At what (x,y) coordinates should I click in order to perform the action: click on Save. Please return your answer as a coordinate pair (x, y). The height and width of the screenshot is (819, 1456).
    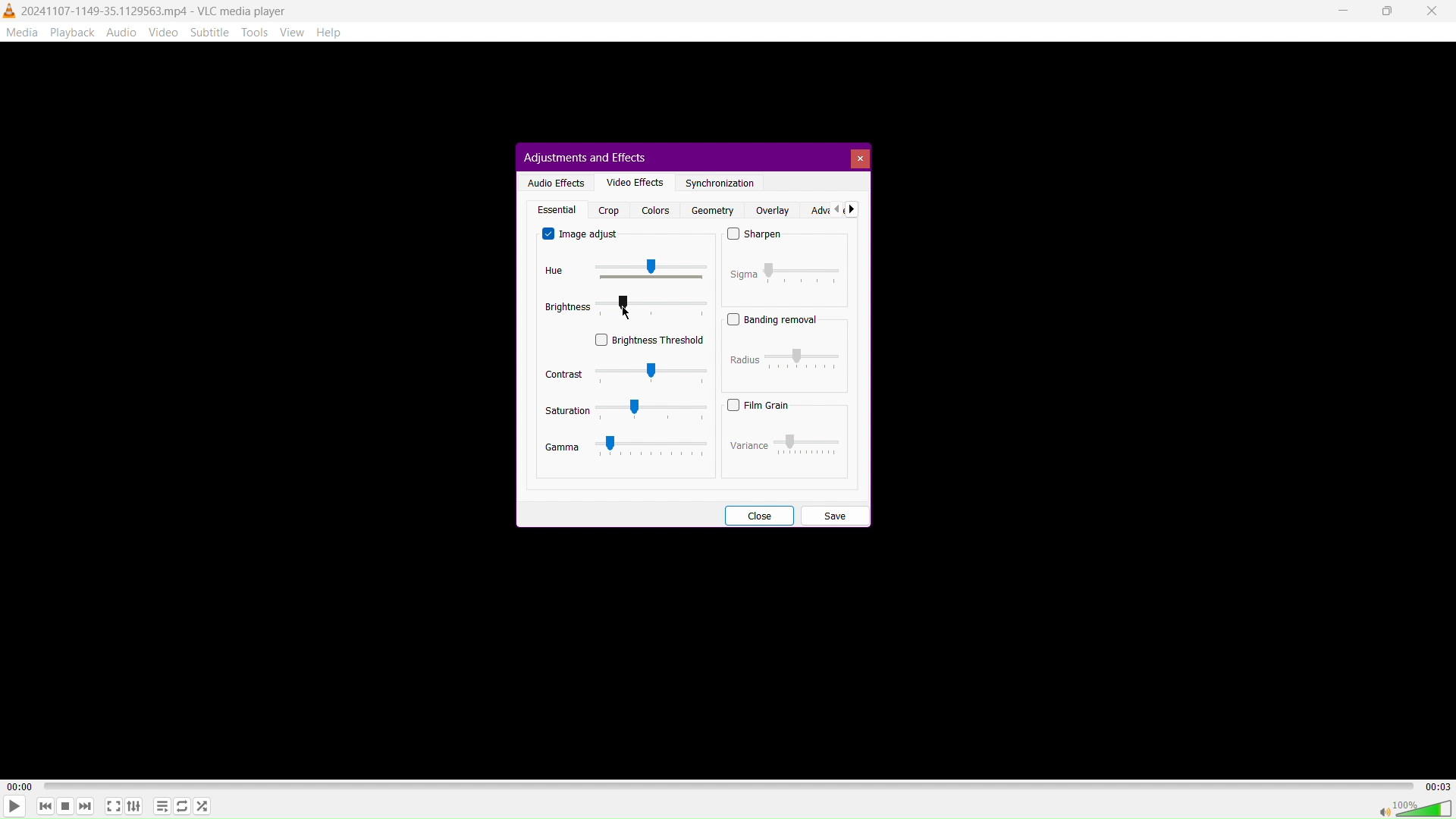
    Looking at the image, I should click on (834, 514).